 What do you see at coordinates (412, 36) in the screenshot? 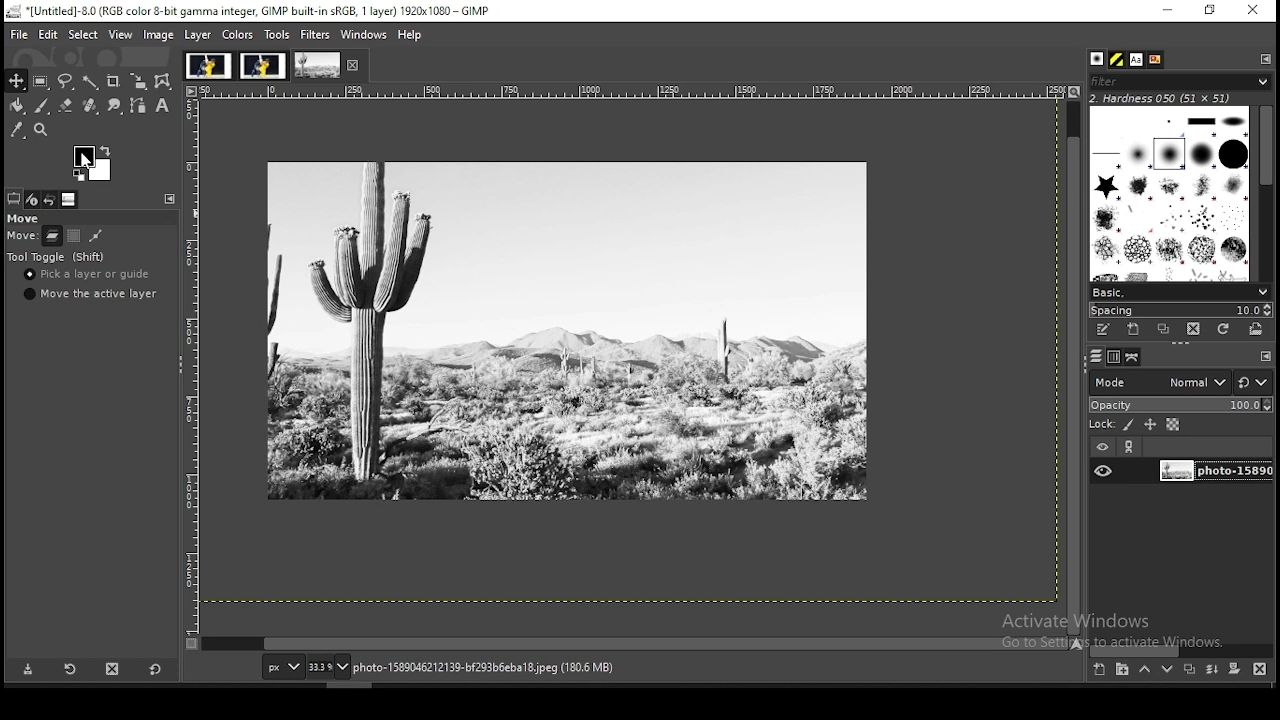
I see `help` at bounding box center [412, 36].